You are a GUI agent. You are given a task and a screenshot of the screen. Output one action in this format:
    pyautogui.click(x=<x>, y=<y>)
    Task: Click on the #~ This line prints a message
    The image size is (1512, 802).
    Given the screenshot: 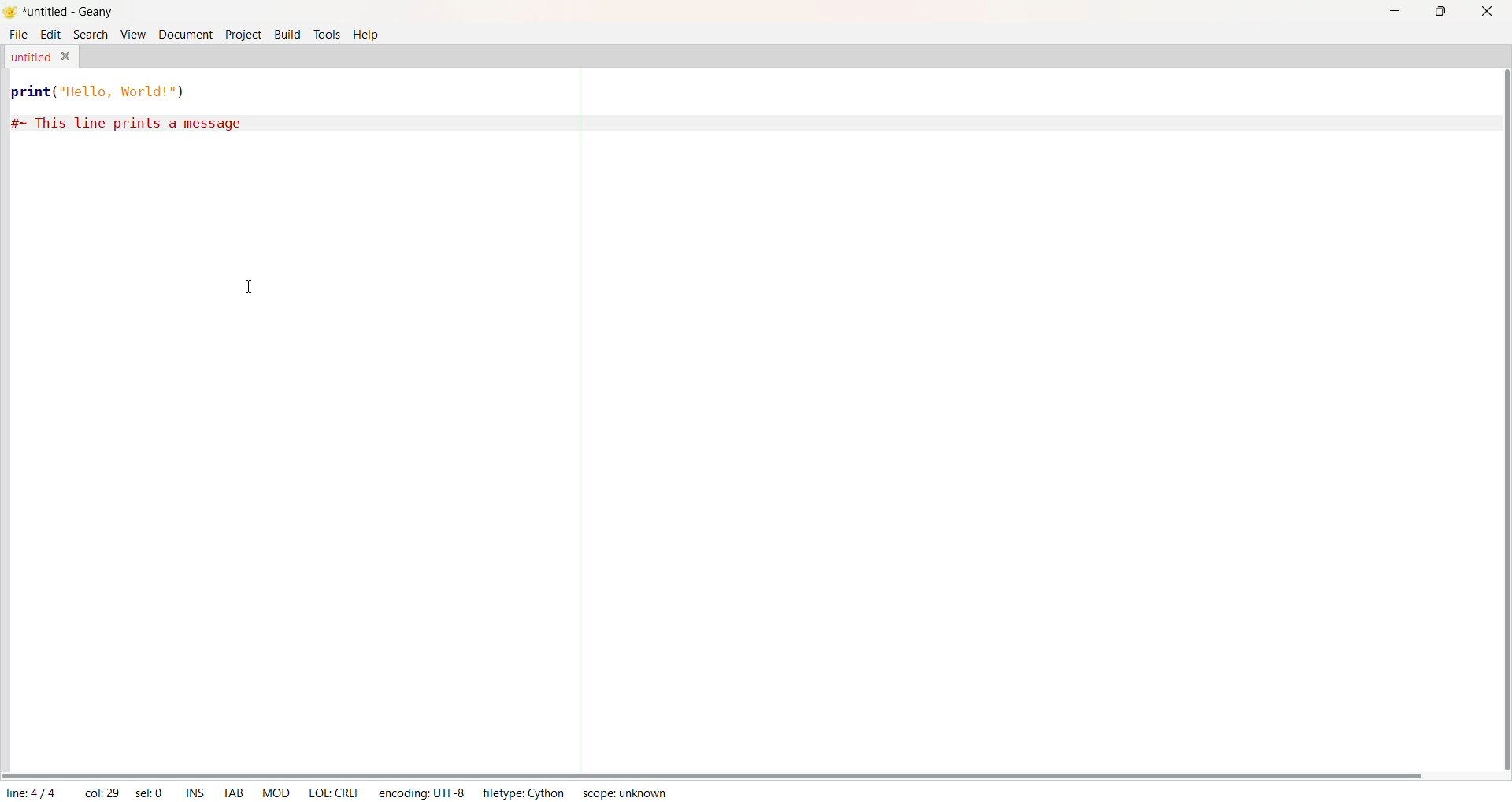 What is the action you would take?
    pyautogui.click(x=147, y=124)
    